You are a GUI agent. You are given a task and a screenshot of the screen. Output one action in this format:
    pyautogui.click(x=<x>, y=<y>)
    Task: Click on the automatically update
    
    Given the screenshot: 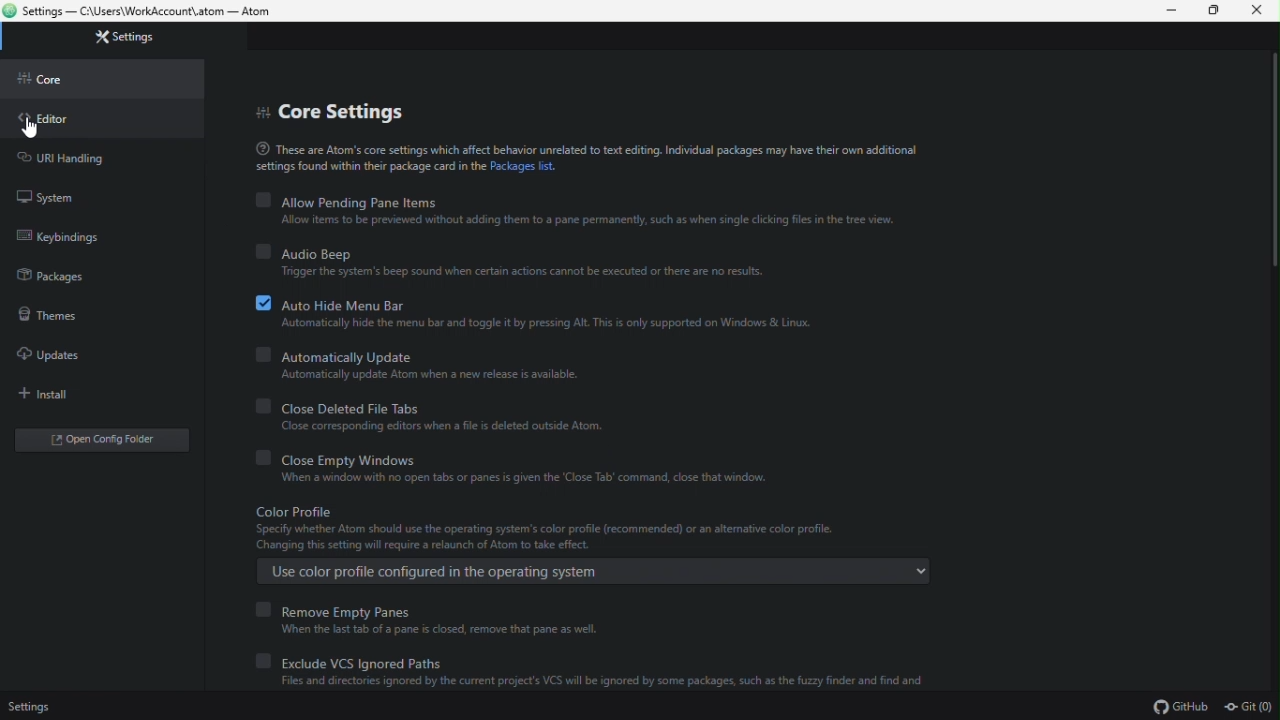 What is the action you would take?
    pyautogui.click(x=428, y=355)
    